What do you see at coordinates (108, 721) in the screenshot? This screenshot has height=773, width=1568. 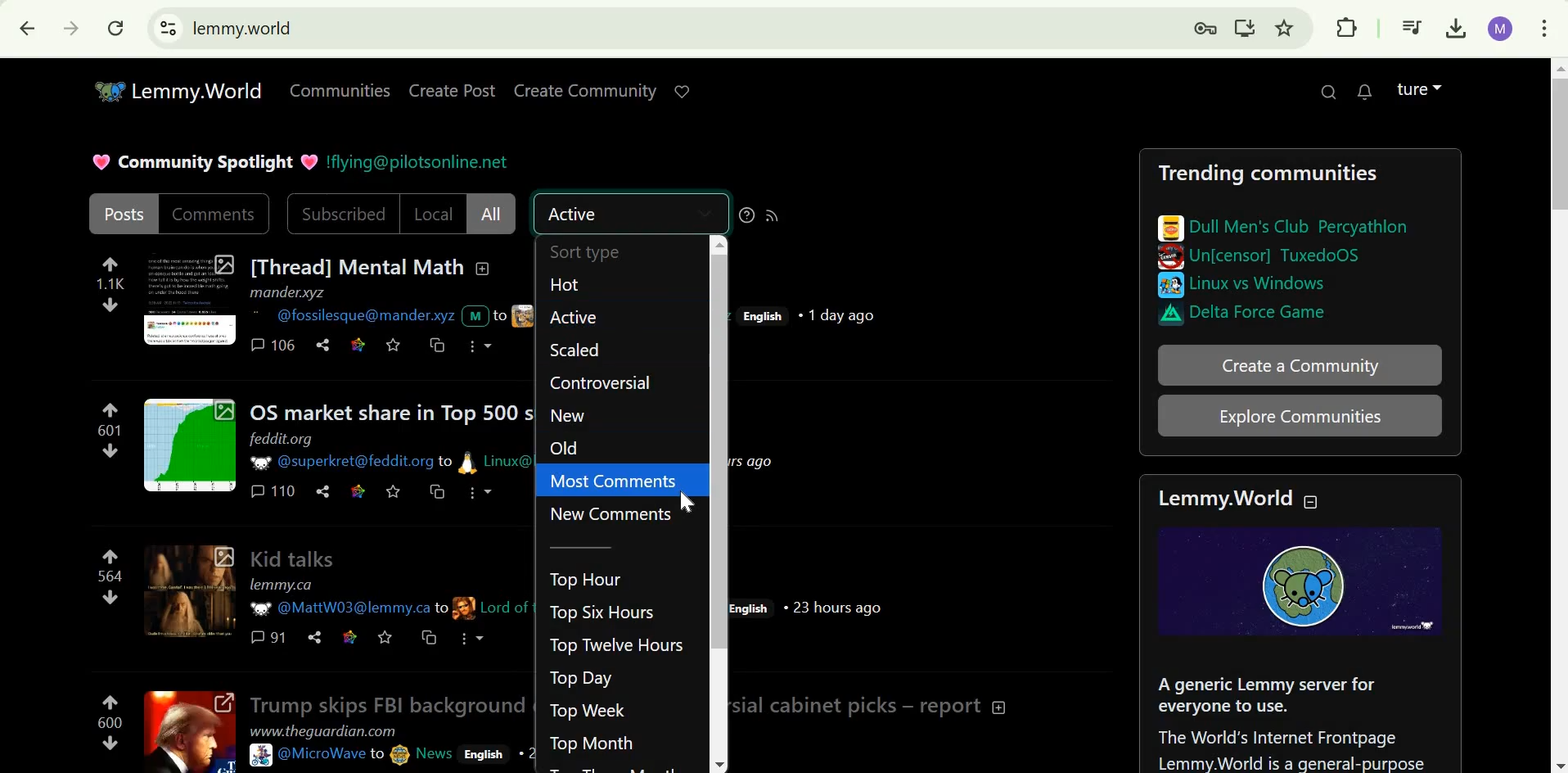 I see `600 points` at bounding box center [108, 721].